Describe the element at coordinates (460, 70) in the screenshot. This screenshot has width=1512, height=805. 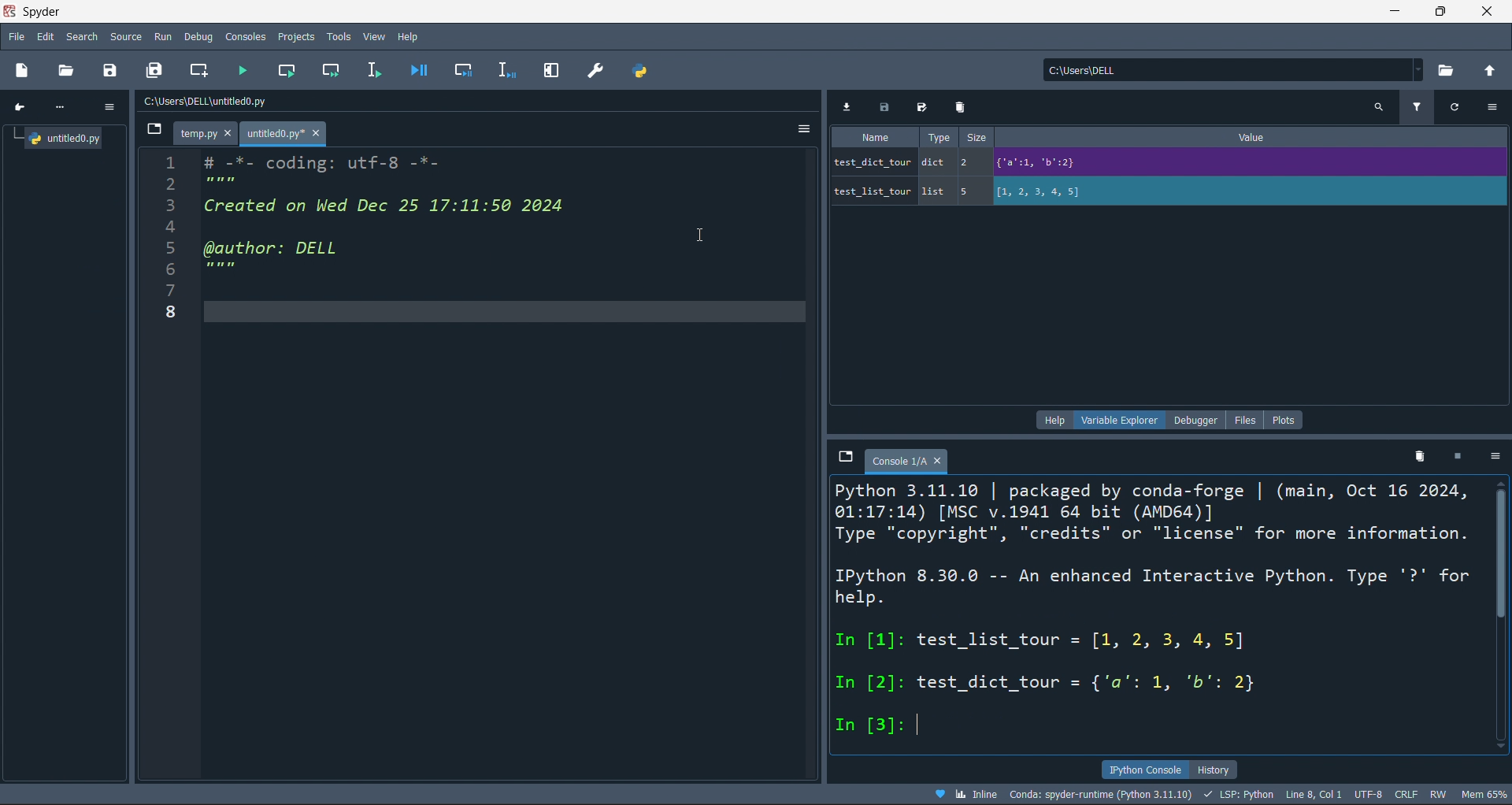
I see `debug cell` at that location.